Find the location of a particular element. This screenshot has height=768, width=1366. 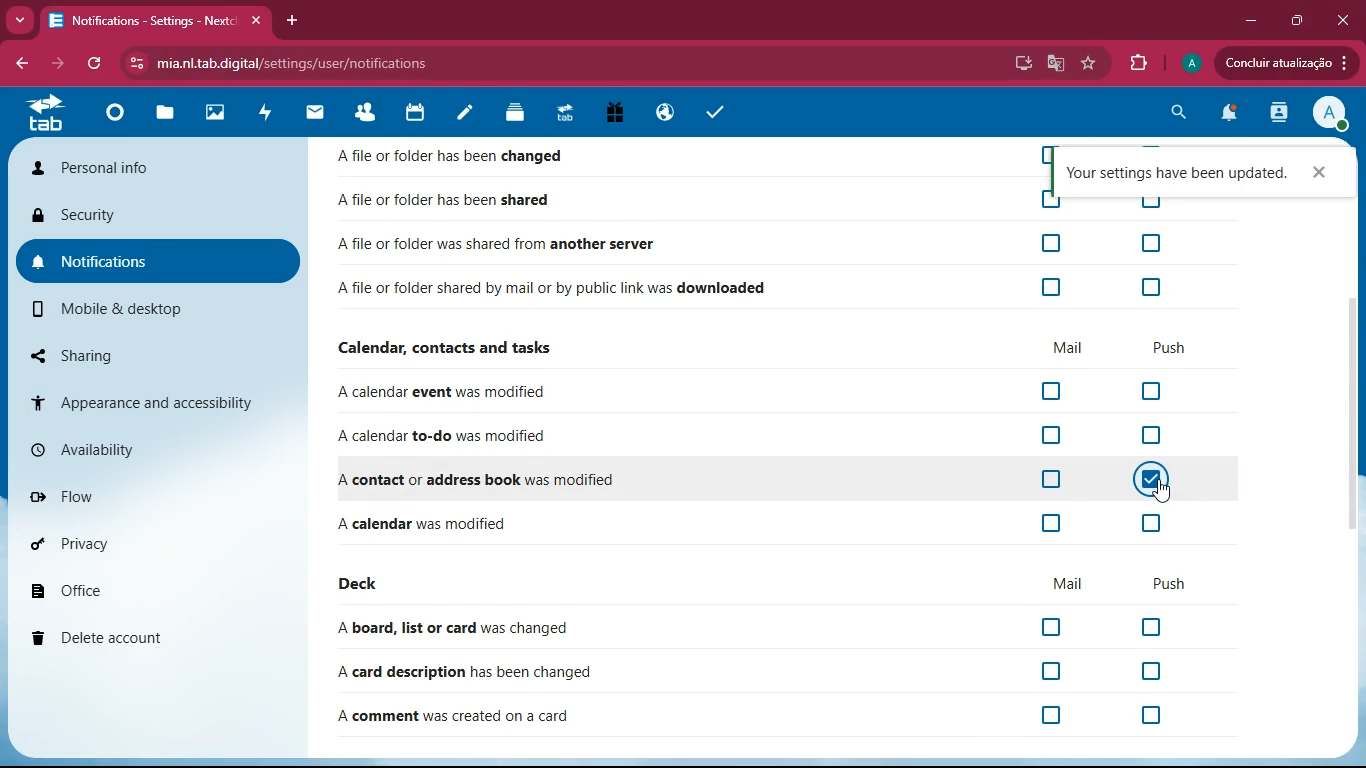

notifications is located at coordinates (1227, 116).